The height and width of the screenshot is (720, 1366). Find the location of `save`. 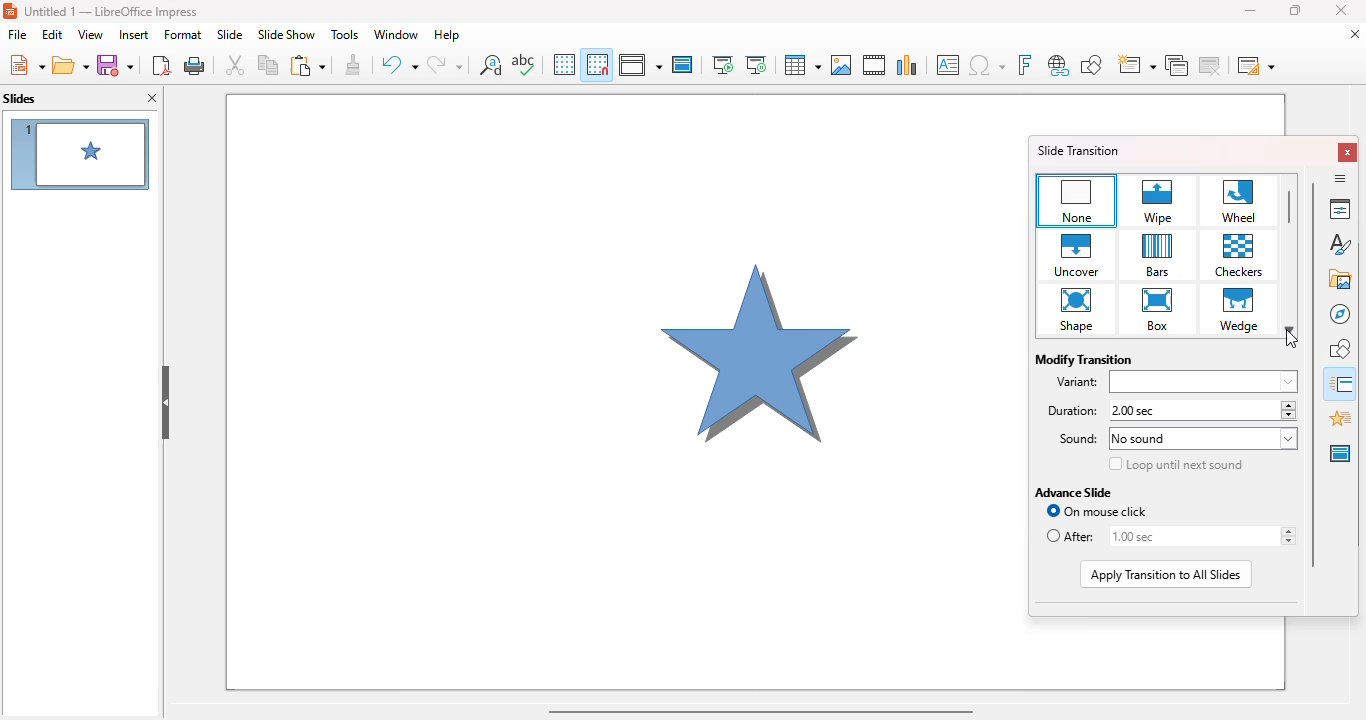

save is located at coordinates (115, 65).